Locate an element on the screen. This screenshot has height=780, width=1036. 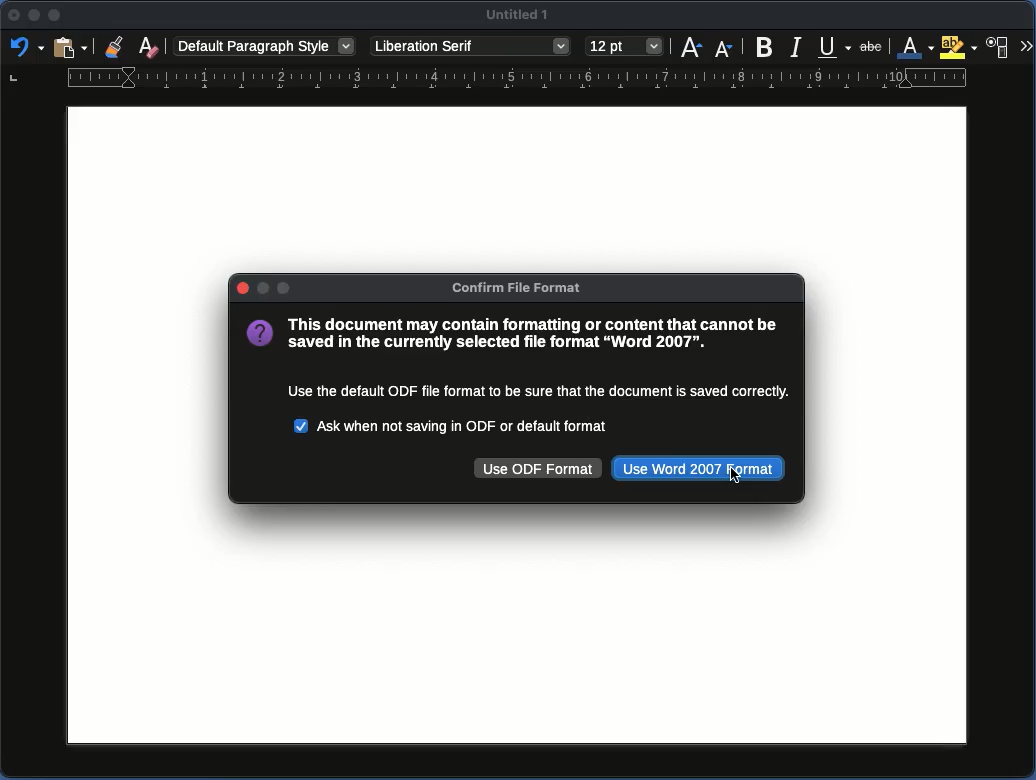
Font style is located at coordinates (470, 47).